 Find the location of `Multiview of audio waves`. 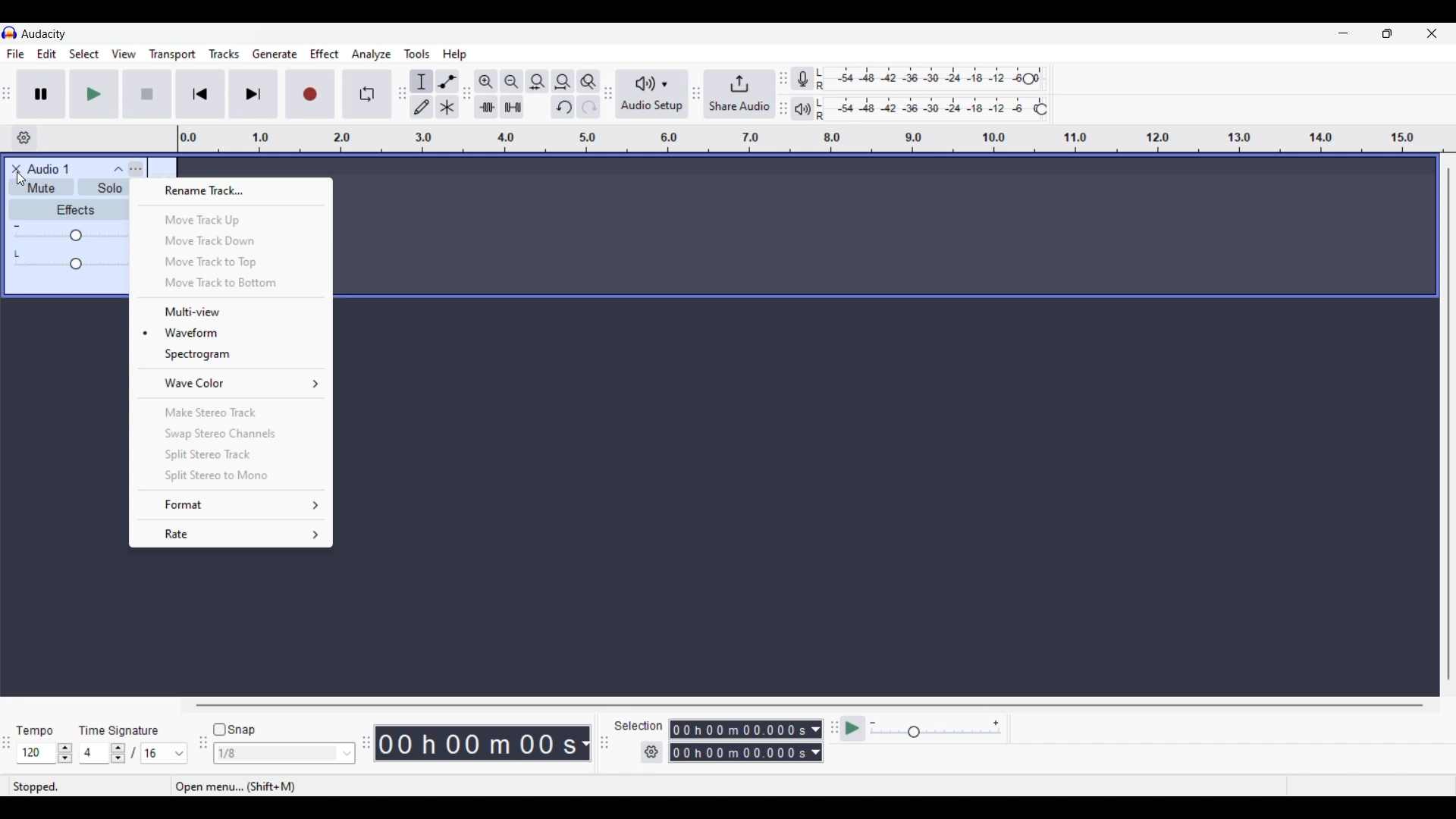

Multiview of audio waves is located at coordinates (232, 312).